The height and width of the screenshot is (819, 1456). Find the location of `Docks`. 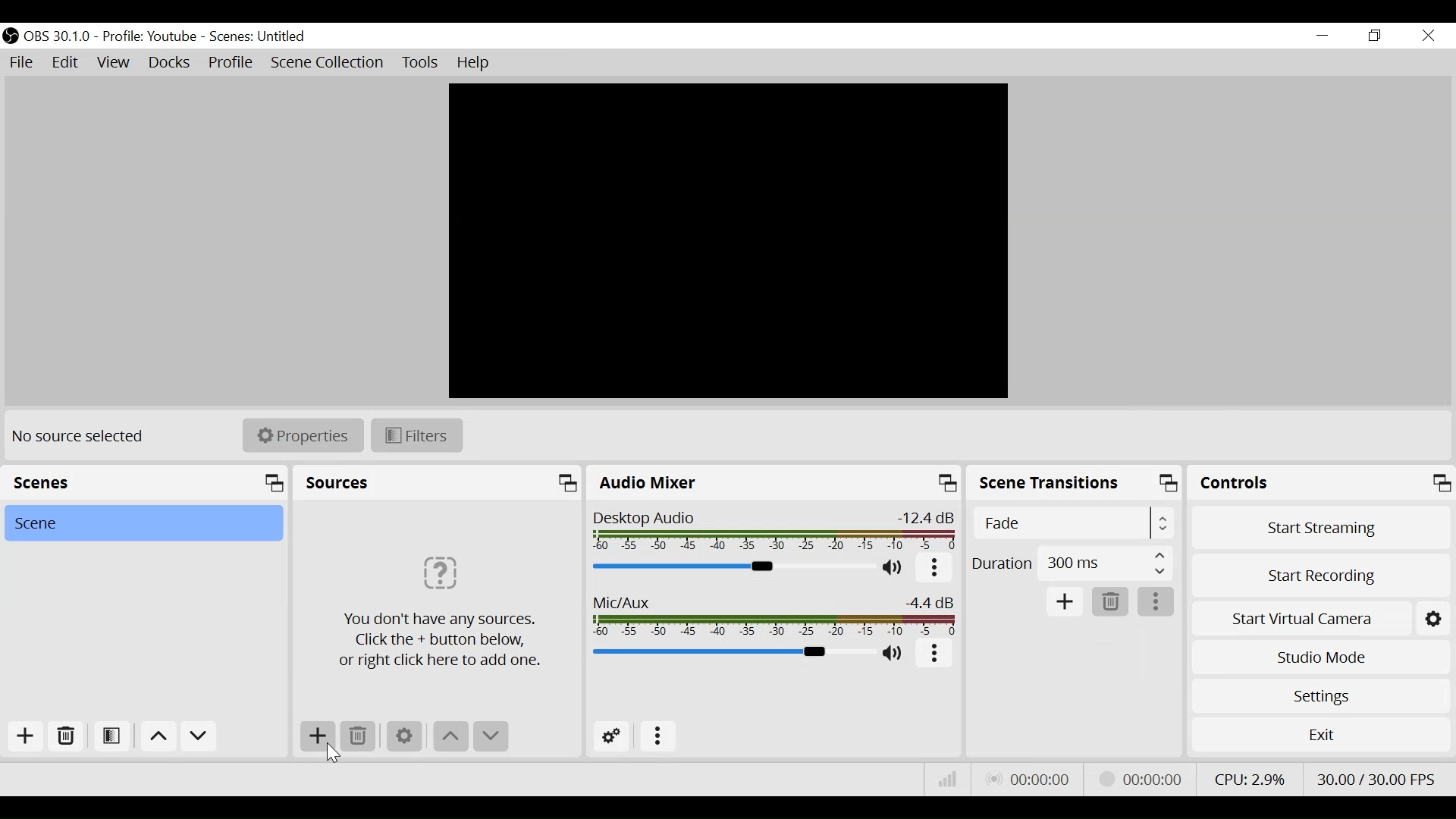

Docks is located at coordinates (171, 63).